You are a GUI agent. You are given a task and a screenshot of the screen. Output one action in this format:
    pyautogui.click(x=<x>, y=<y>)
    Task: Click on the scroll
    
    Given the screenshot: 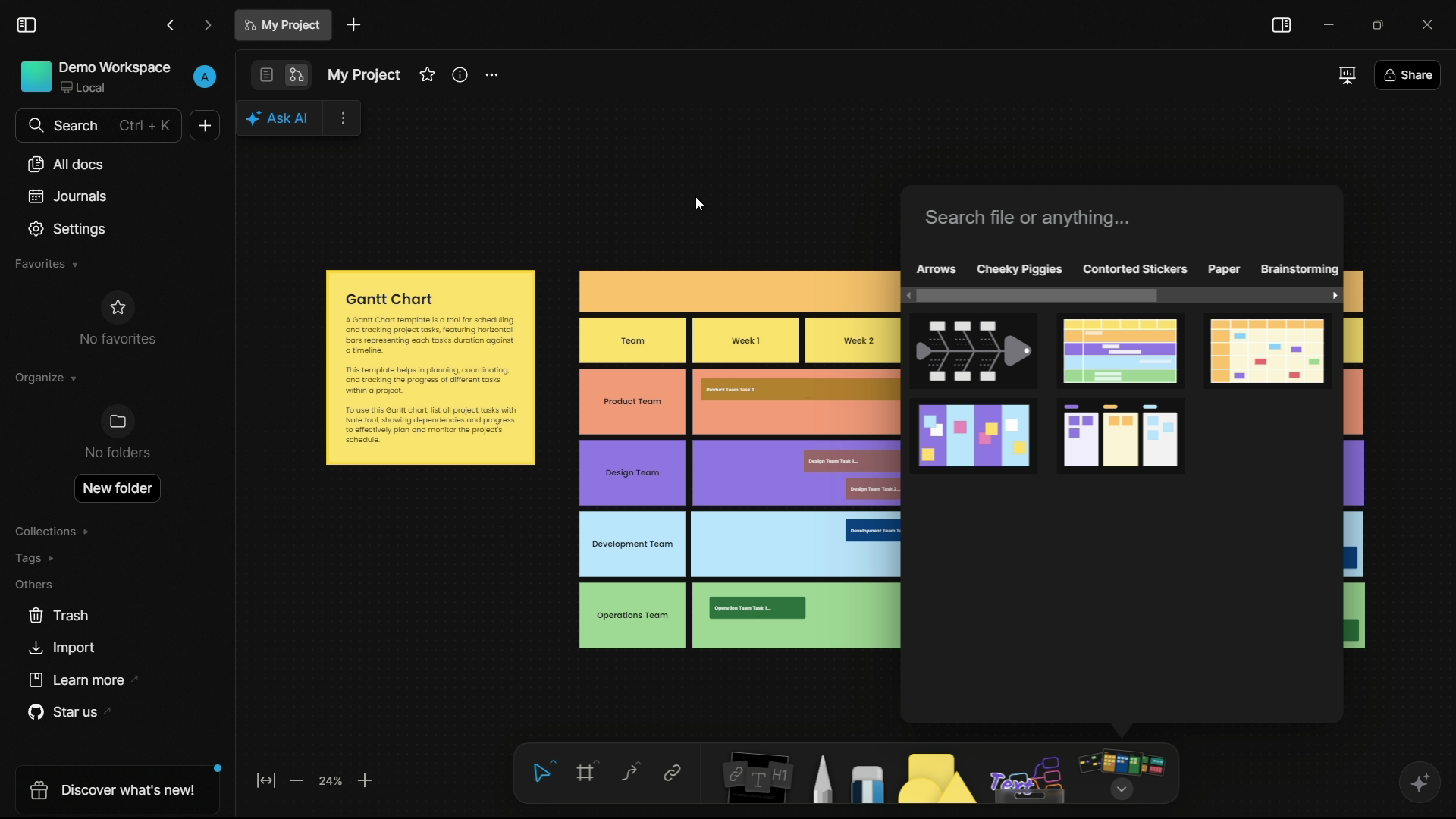 What is the action you would take?
    pyautogui.click(x=1125, y=296)
    